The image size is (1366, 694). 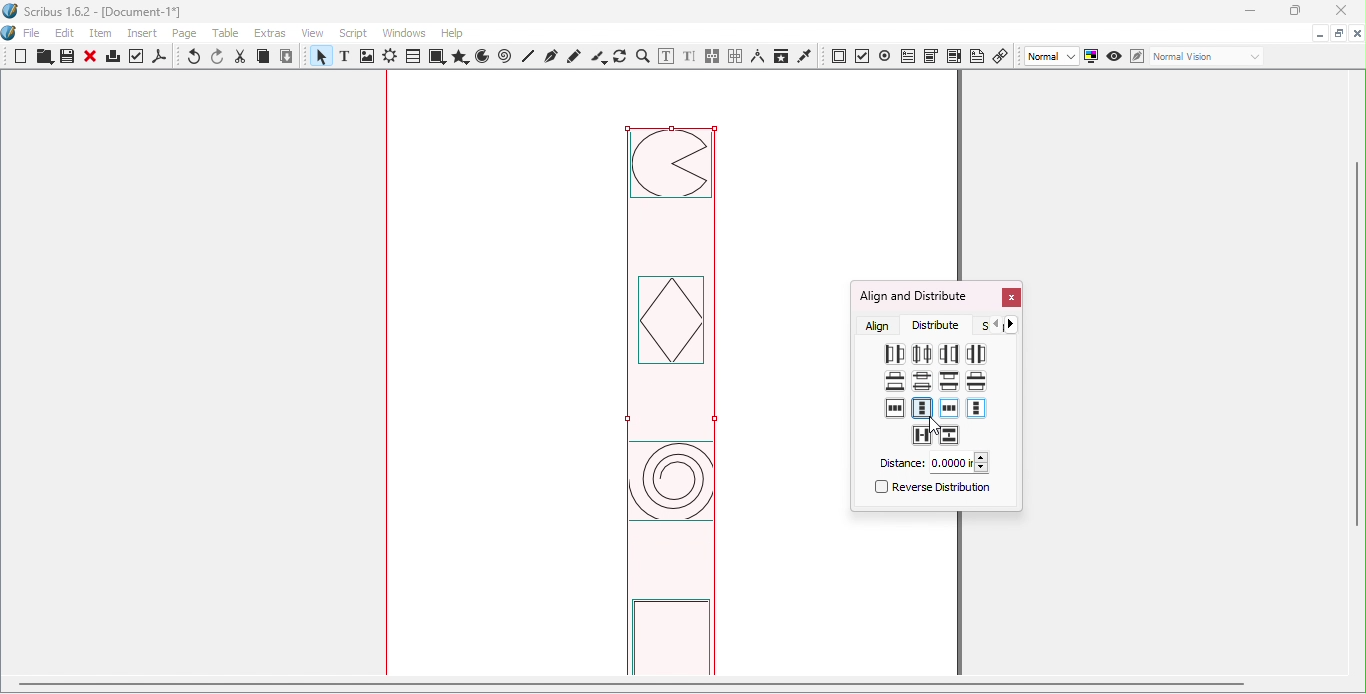 What do you see at coordinates (137, 59) in the screenshot?
I see `Preflight verifier` at bounding box center [137, 59].